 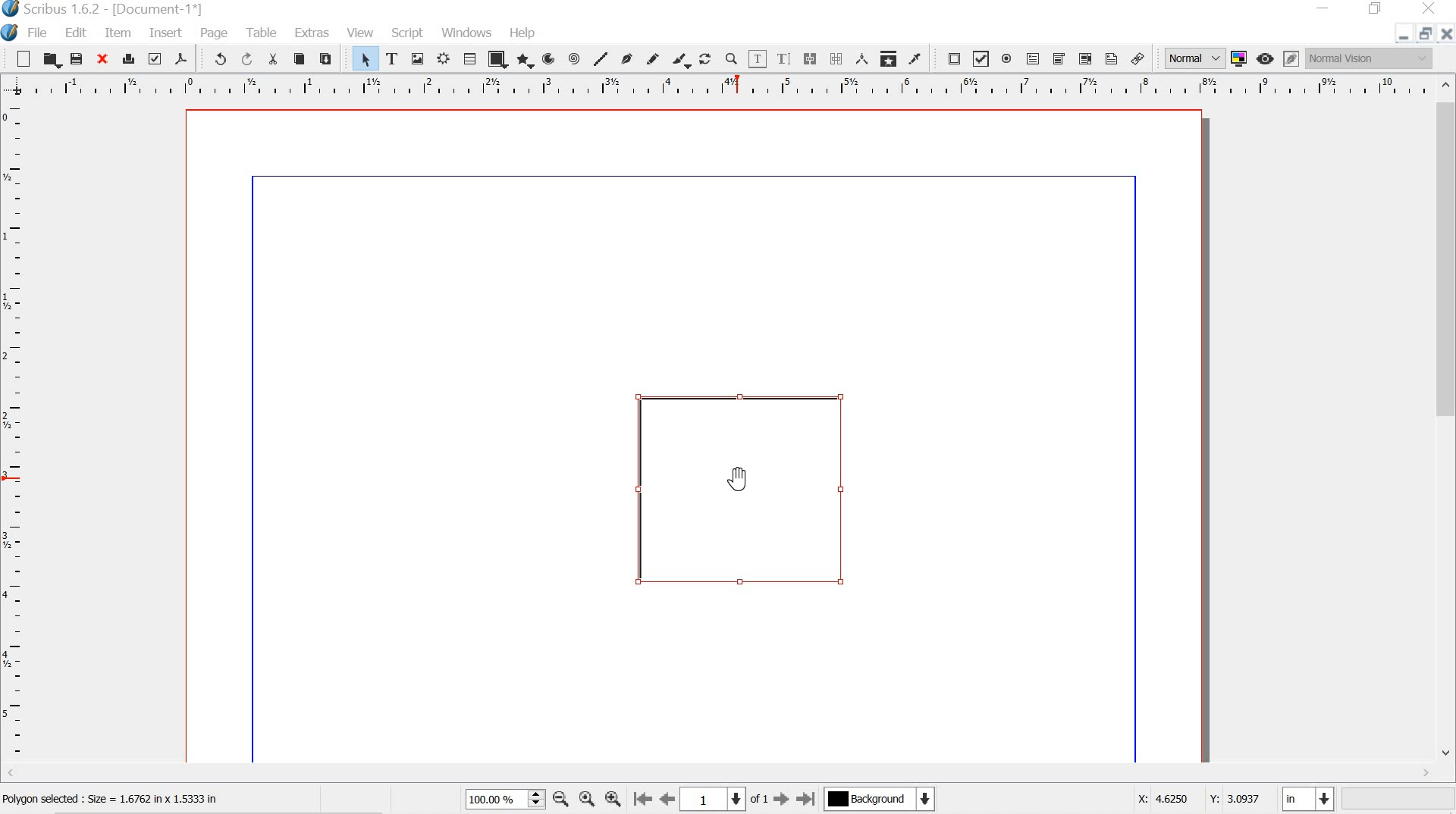 I want to click on EDIT IN PREVIEW MODE, so click(x=1291, y=58).